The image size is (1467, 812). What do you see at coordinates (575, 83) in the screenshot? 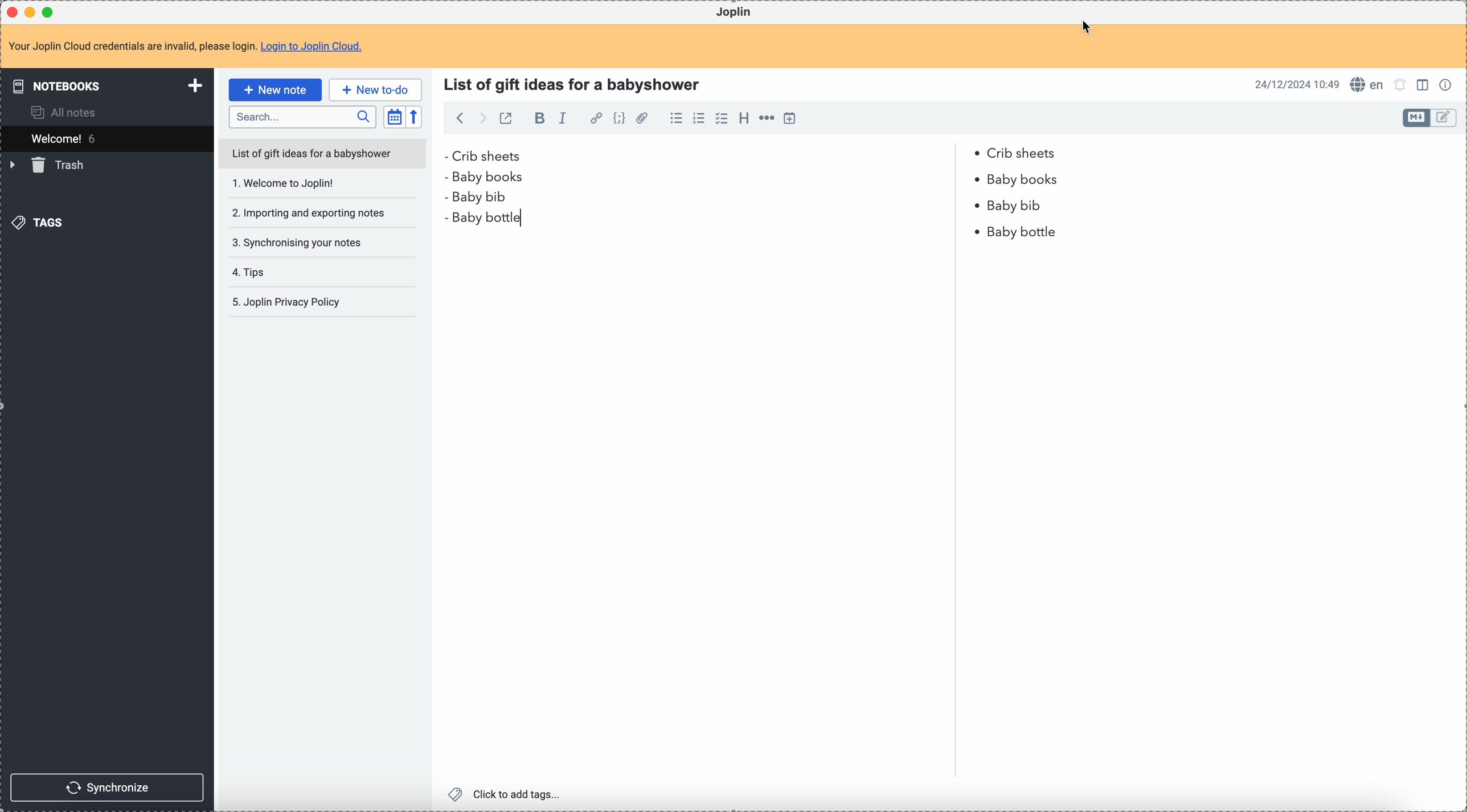
I see `title` at bounding box center [575, 83].